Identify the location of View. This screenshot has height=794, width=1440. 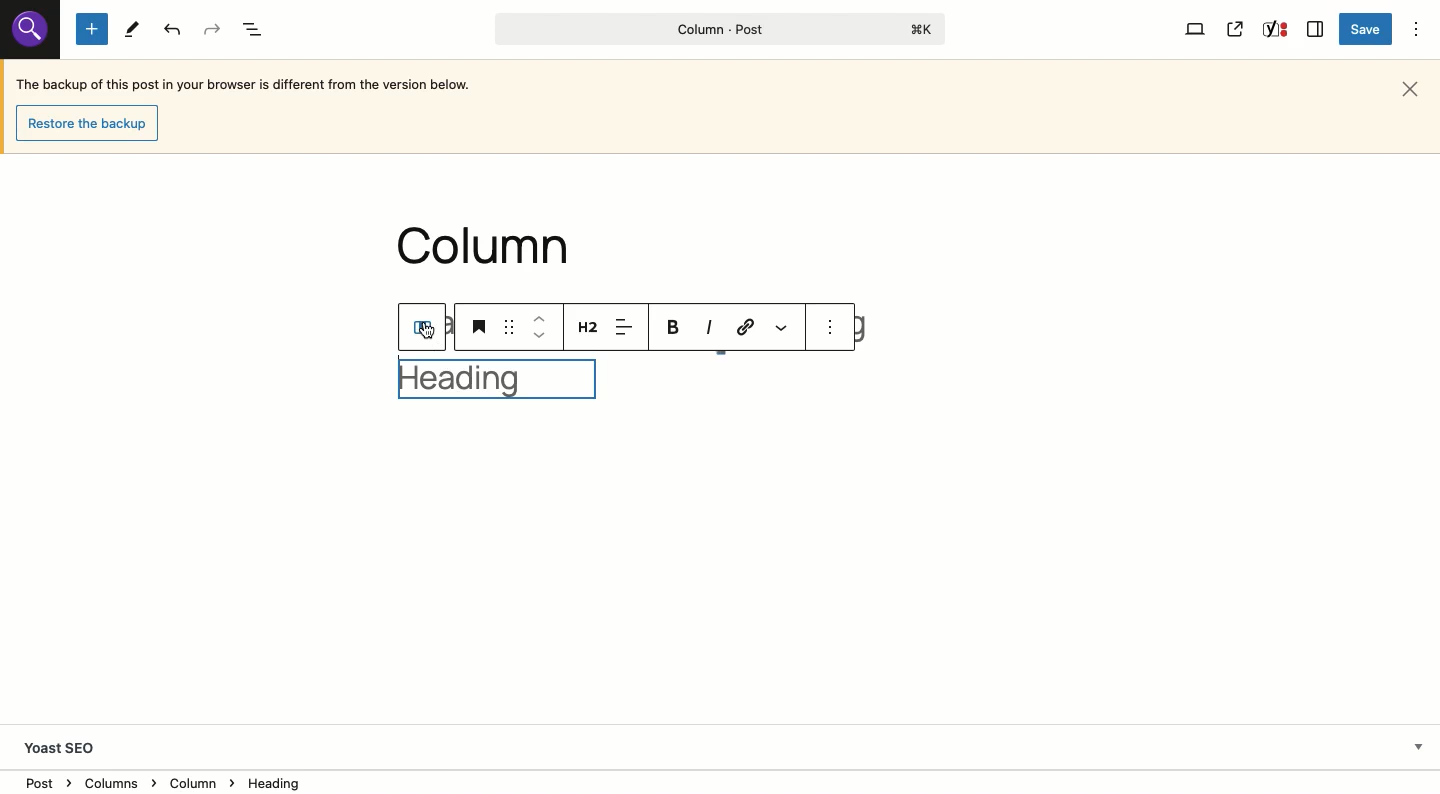
(1196, 28).